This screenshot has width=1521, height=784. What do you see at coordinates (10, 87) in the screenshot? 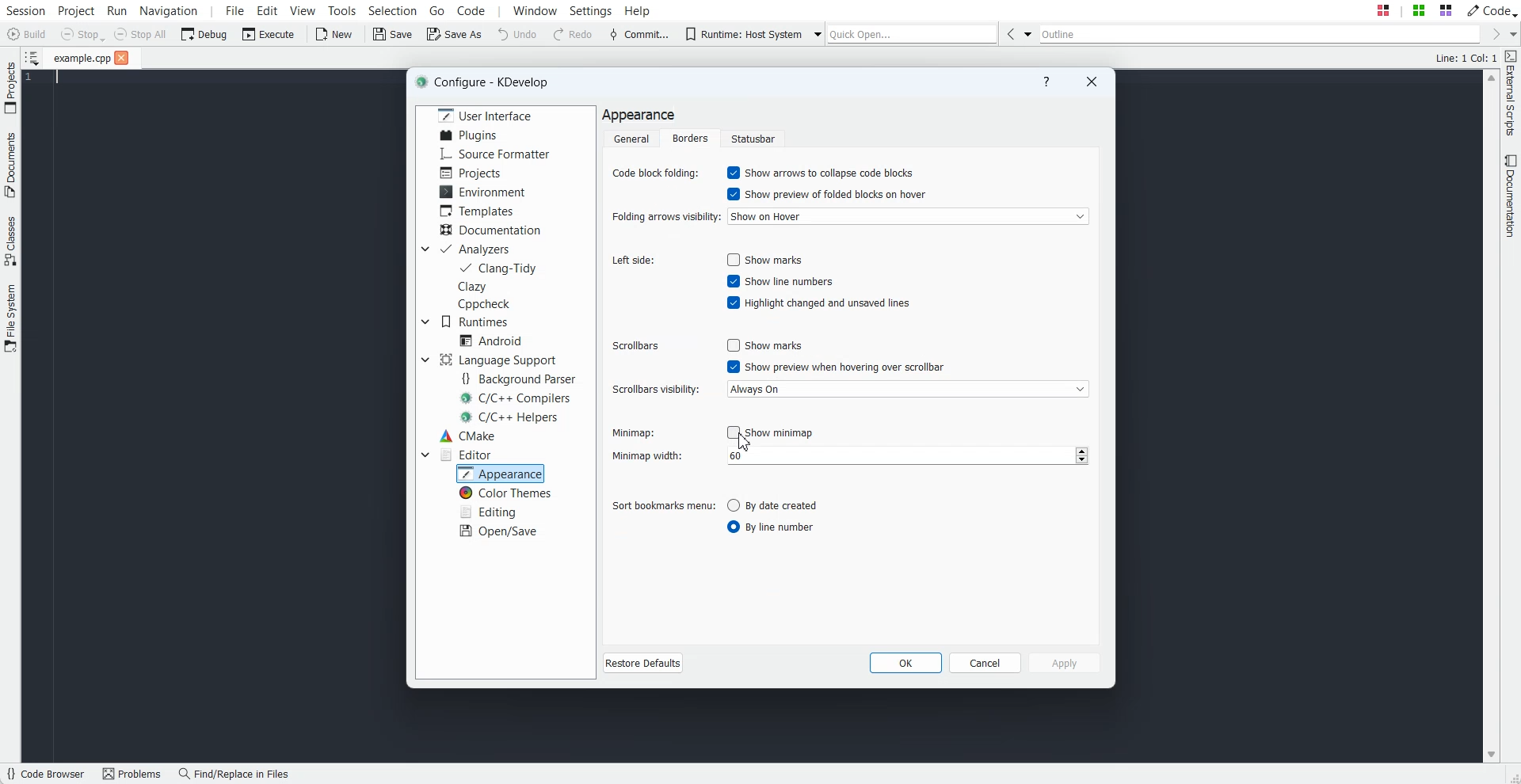
I see `Projects` at bounding box center [10, 87].